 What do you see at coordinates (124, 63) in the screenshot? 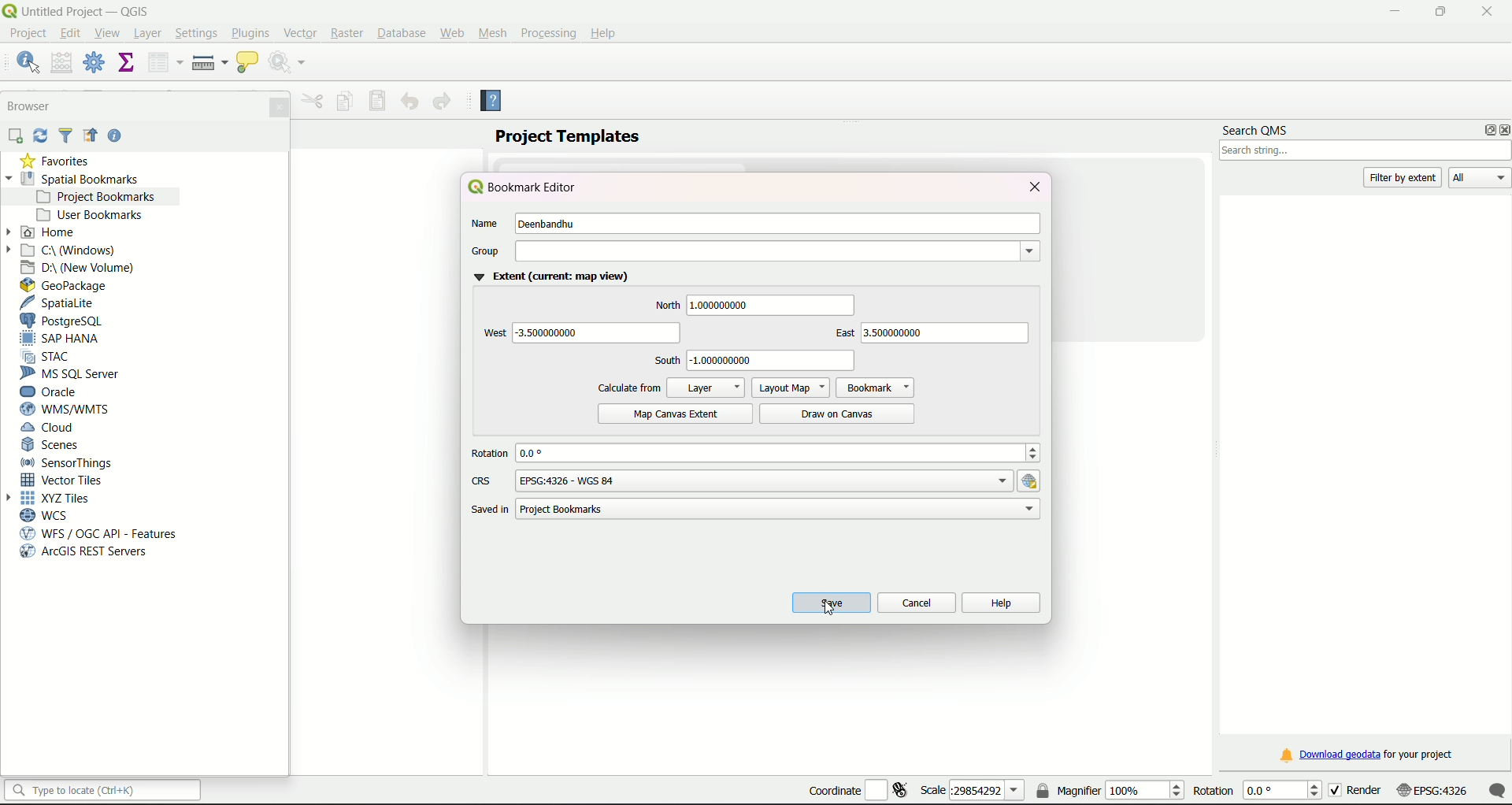
I see `show statistical summary` at bounding box center [124, 63].